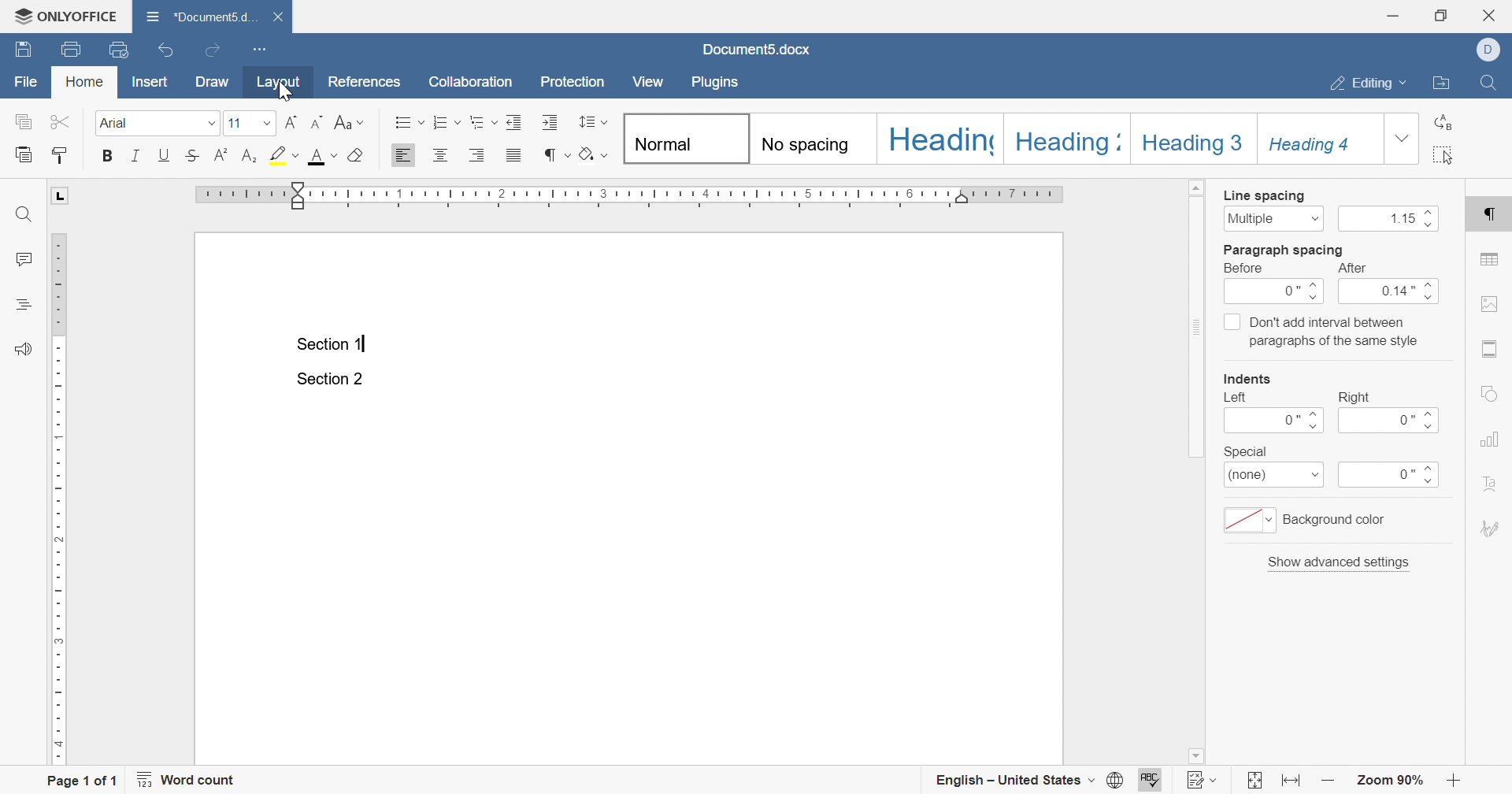 This screenshot has width=1512, height=794. I want to click on headings, so click(21, 305).